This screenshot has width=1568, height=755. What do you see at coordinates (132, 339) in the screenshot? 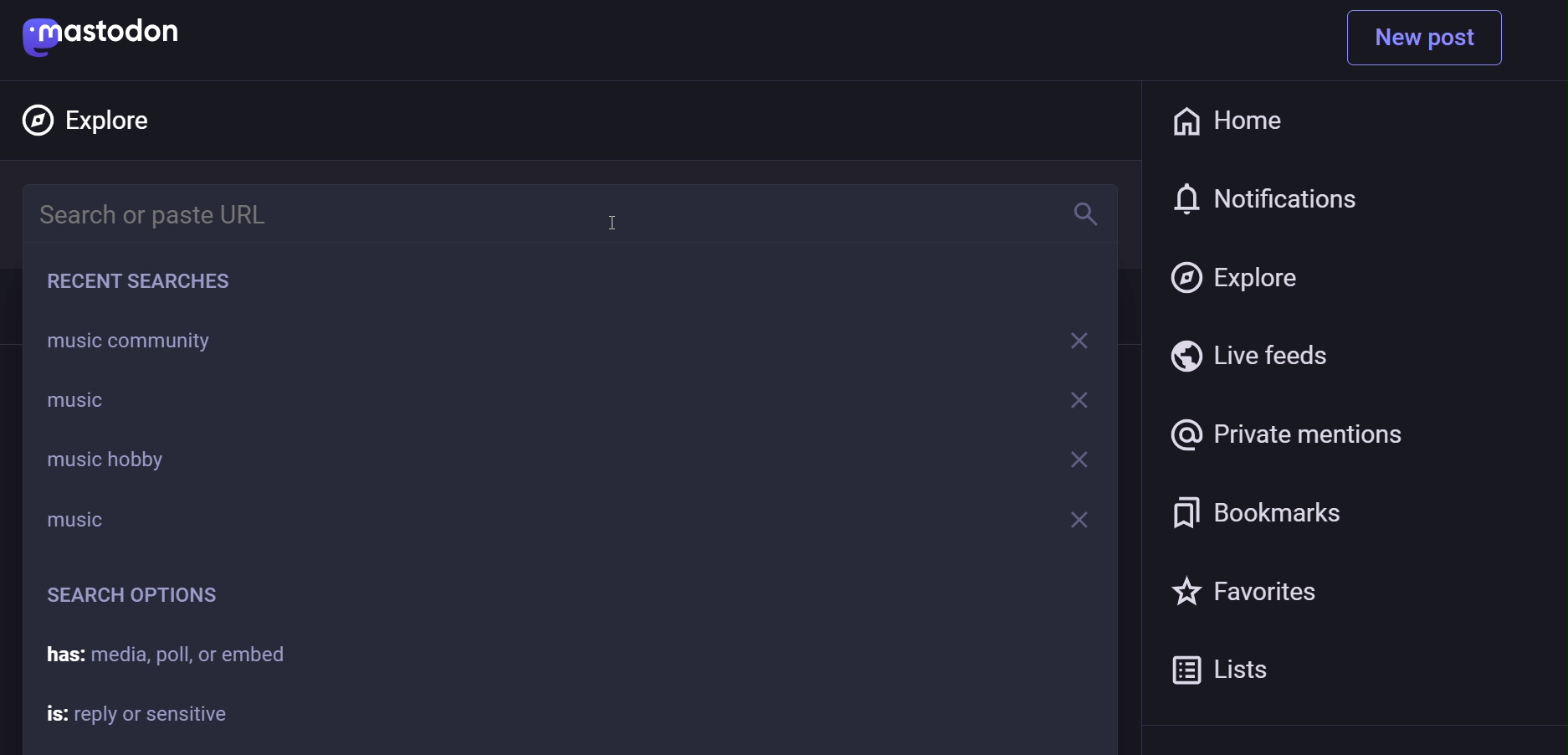
I see `music community` at bounding box center [132, 339].